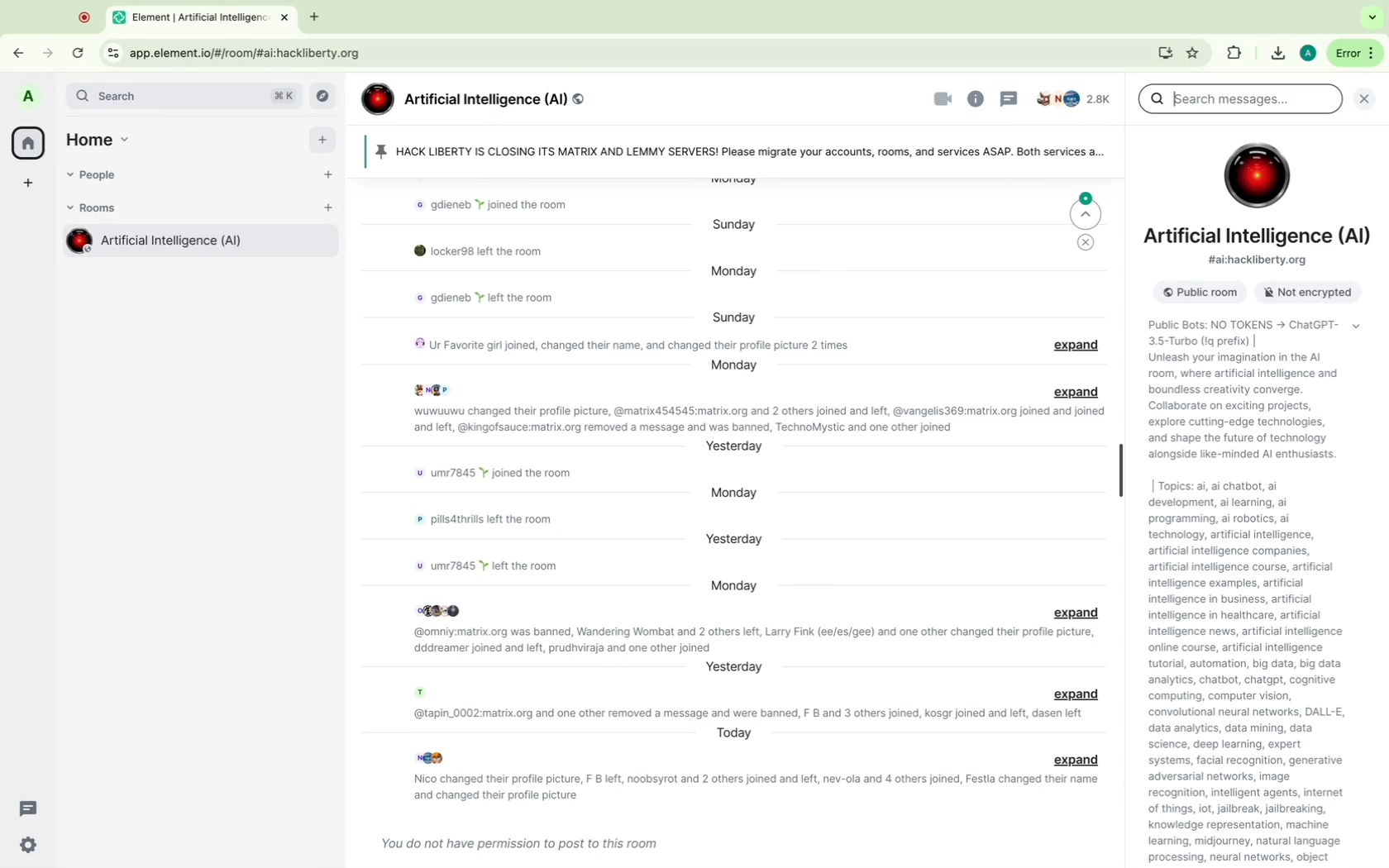 Image resolution: width=1389 pixels, height=868 pixels. What do you see at coordinates (634, 345) in the screenshot?
I see `message` at bounding box center [634, 345].